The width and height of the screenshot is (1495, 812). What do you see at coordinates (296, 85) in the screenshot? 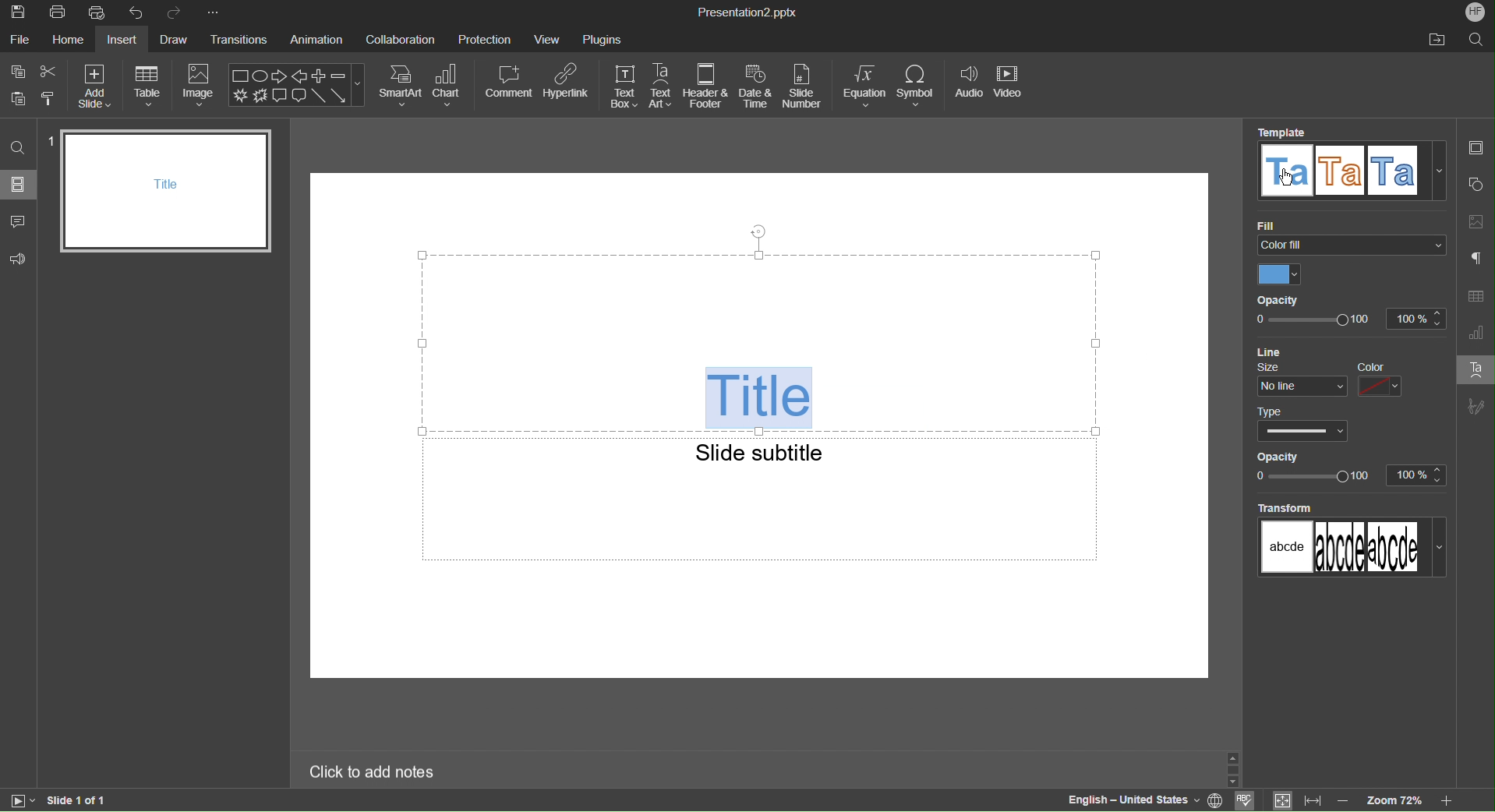
I see `Shape Menu` at bounding box center [296, 85].